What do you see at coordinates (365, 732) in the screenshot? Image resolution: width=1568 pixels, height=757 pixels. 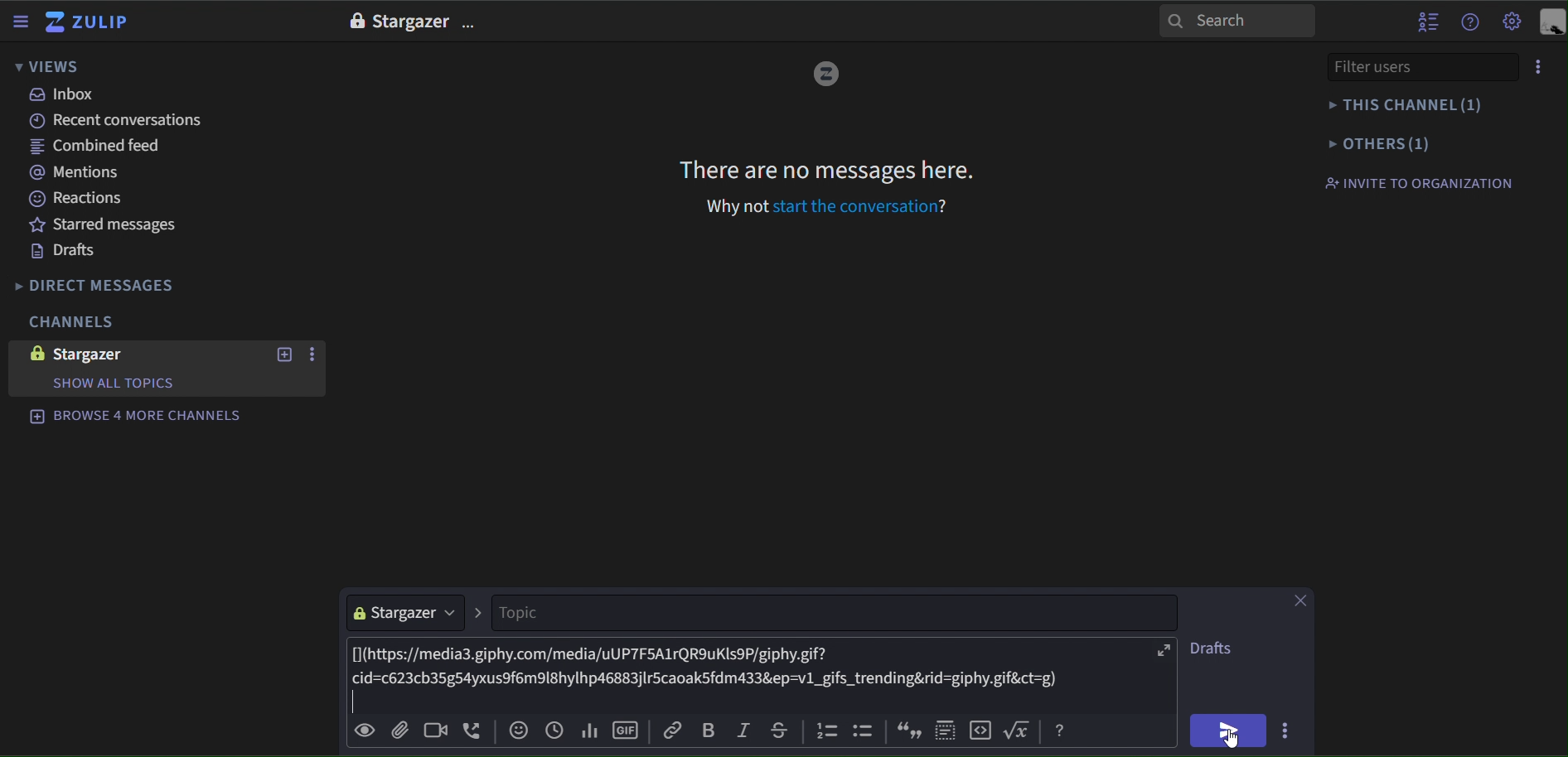 I see `preview message` at bounding box center [365, 732].